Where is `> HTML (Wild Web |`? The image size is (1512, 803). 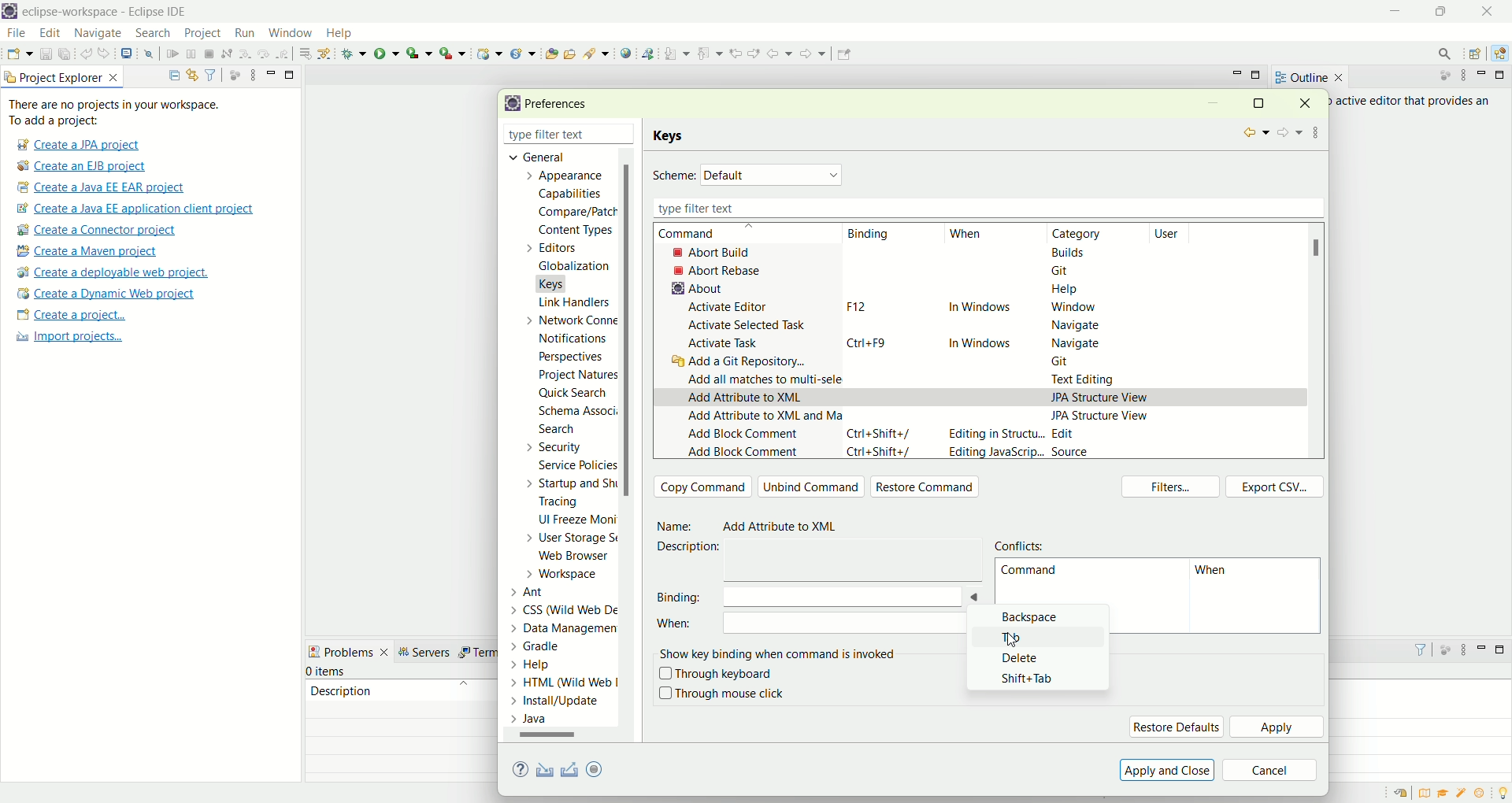 > HTML (Wild Web | is located at coordinates (565, 683).